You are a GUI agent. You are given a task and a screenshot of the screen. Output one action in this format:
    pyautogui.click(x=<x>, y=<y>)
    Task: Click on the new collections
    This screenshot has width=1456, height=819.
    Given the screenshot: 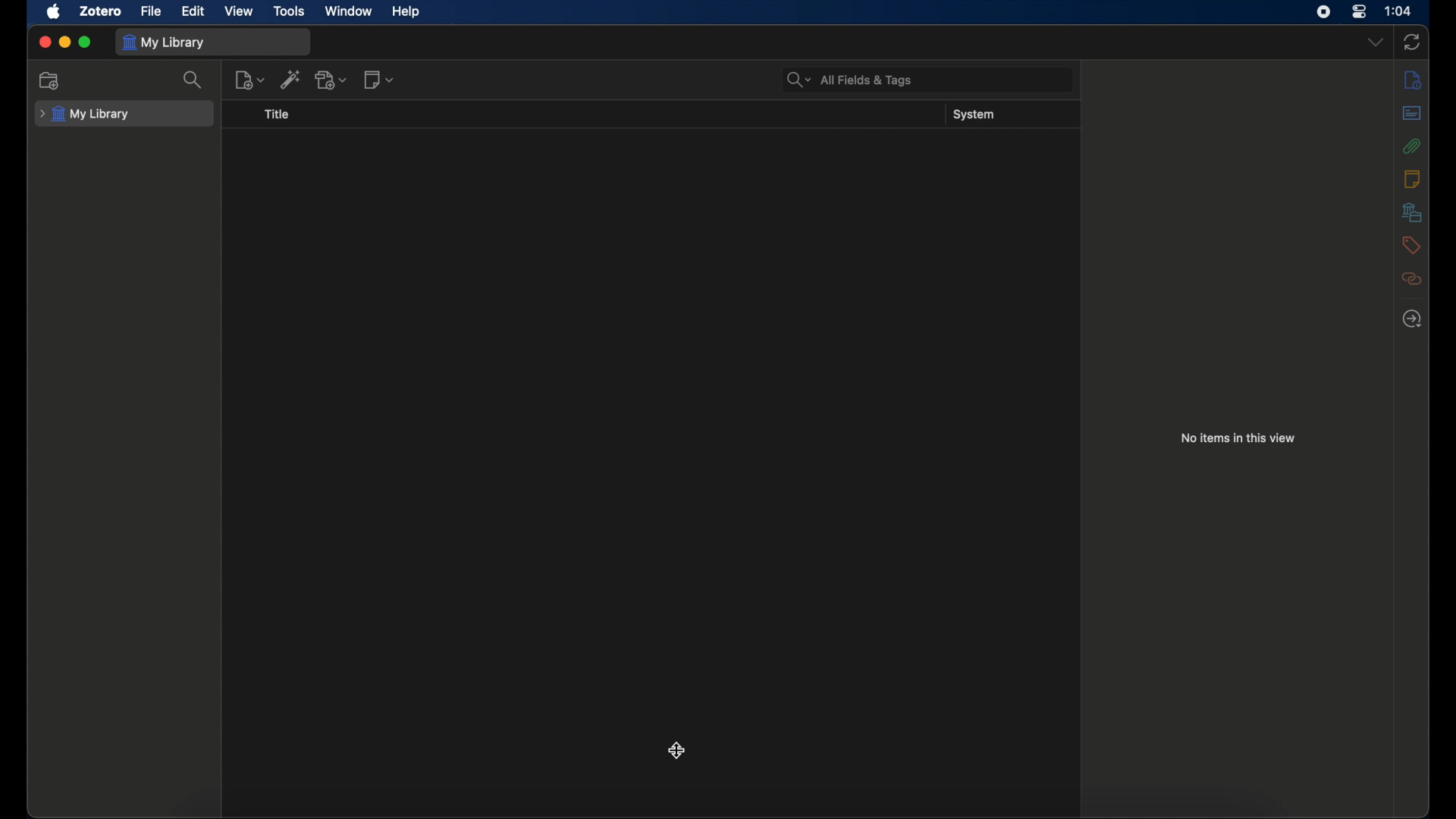 What is the action you would take?
    pyautogui.click(x=50, y=80)
    